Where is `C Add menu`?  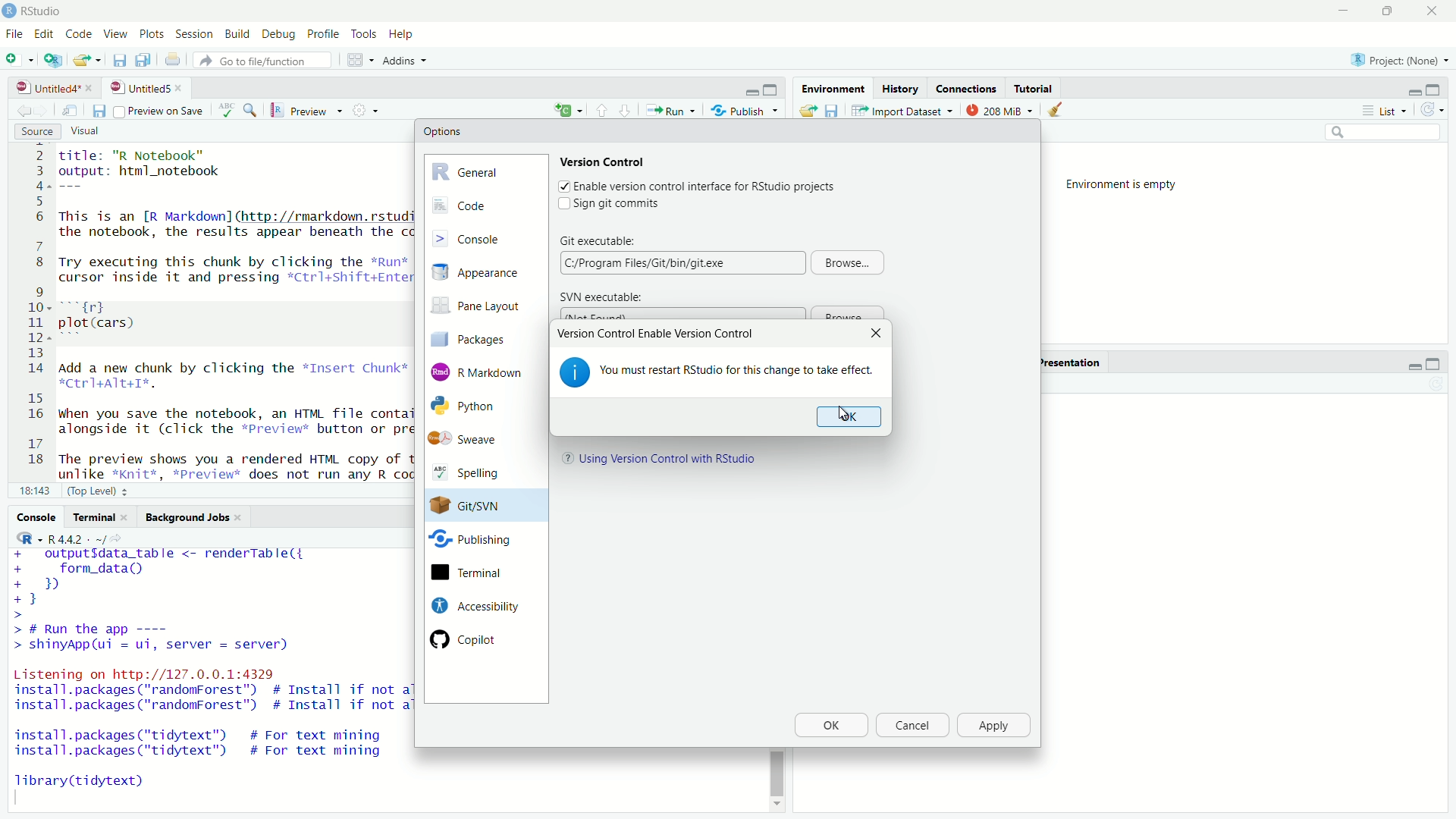 C Add menu is located at coordinates (568, 108).